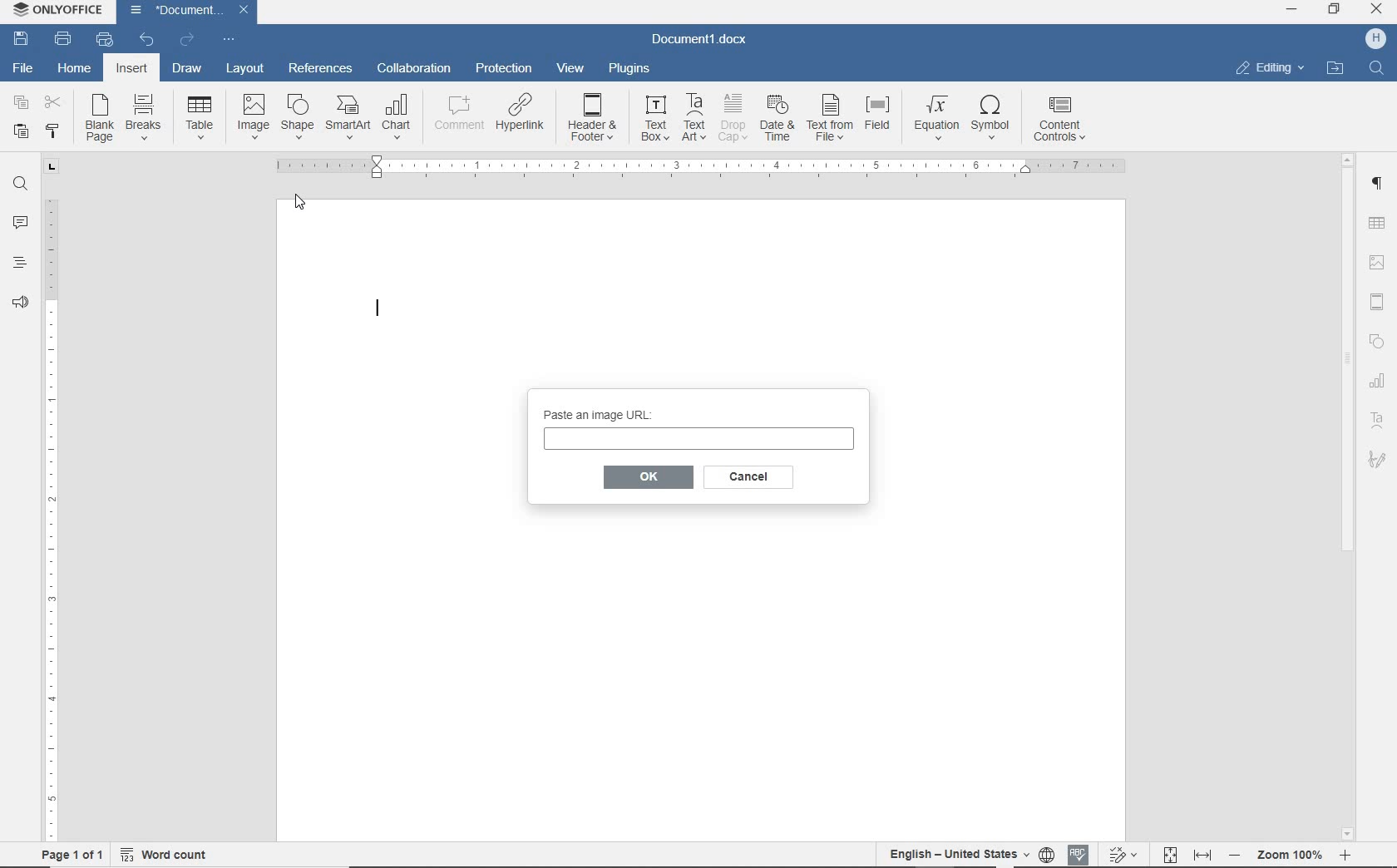  Describe the element at coordinates (752, 479) in the screenshot. I see `cancel` at that location.